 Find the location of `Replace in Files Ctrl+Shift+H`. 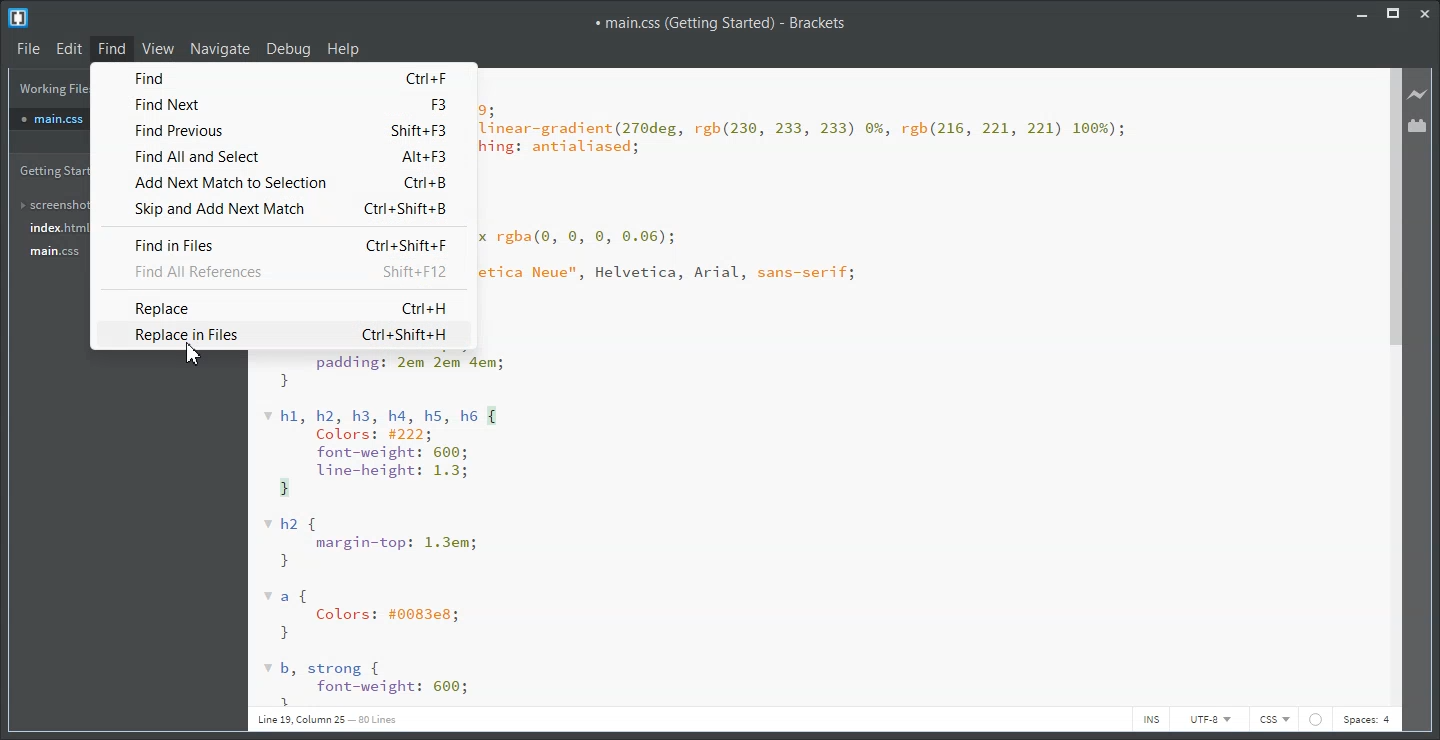

Replace in Files Ctrl+Shift+H is located at coordinates (288, 336).